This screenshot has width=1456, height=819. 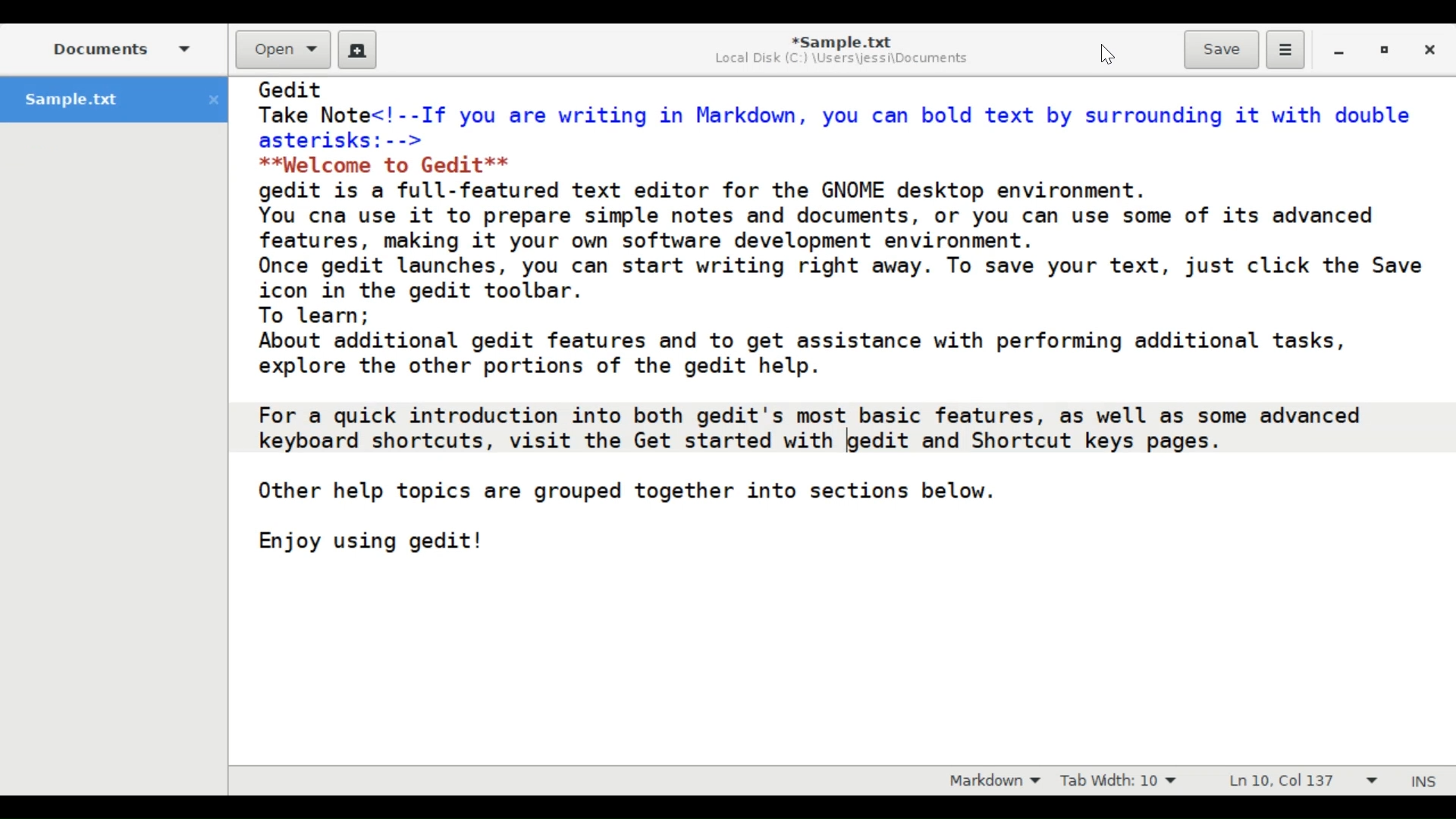 What do you see at coordinates (994, 778) in the screenshot?
I see `markdown` at bounding box center [994, 778].